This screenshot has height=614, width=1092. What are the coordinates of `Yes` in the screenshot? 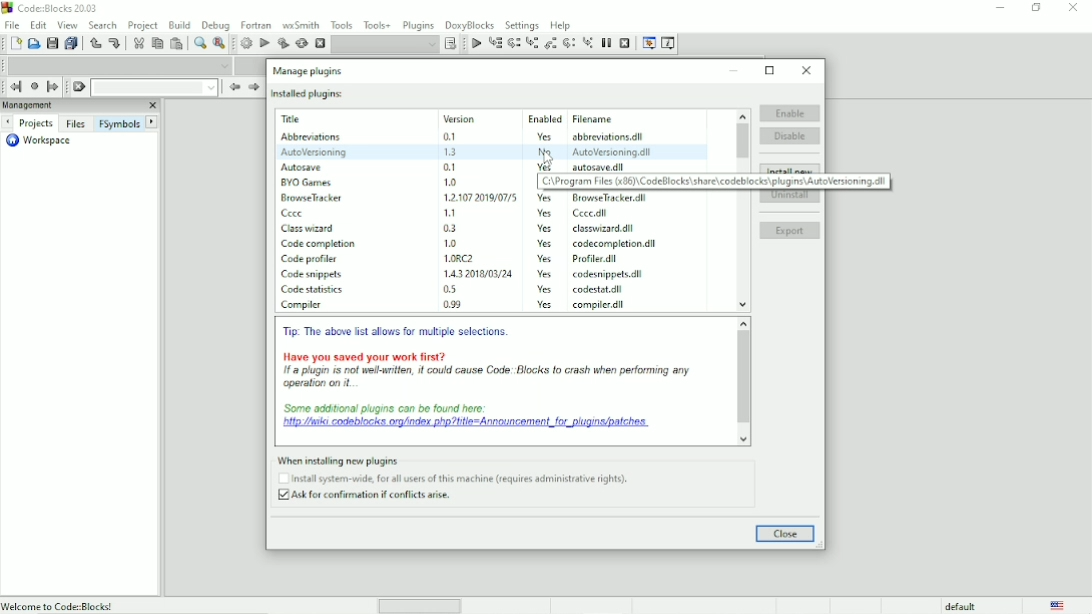 It's located at (544, 259).